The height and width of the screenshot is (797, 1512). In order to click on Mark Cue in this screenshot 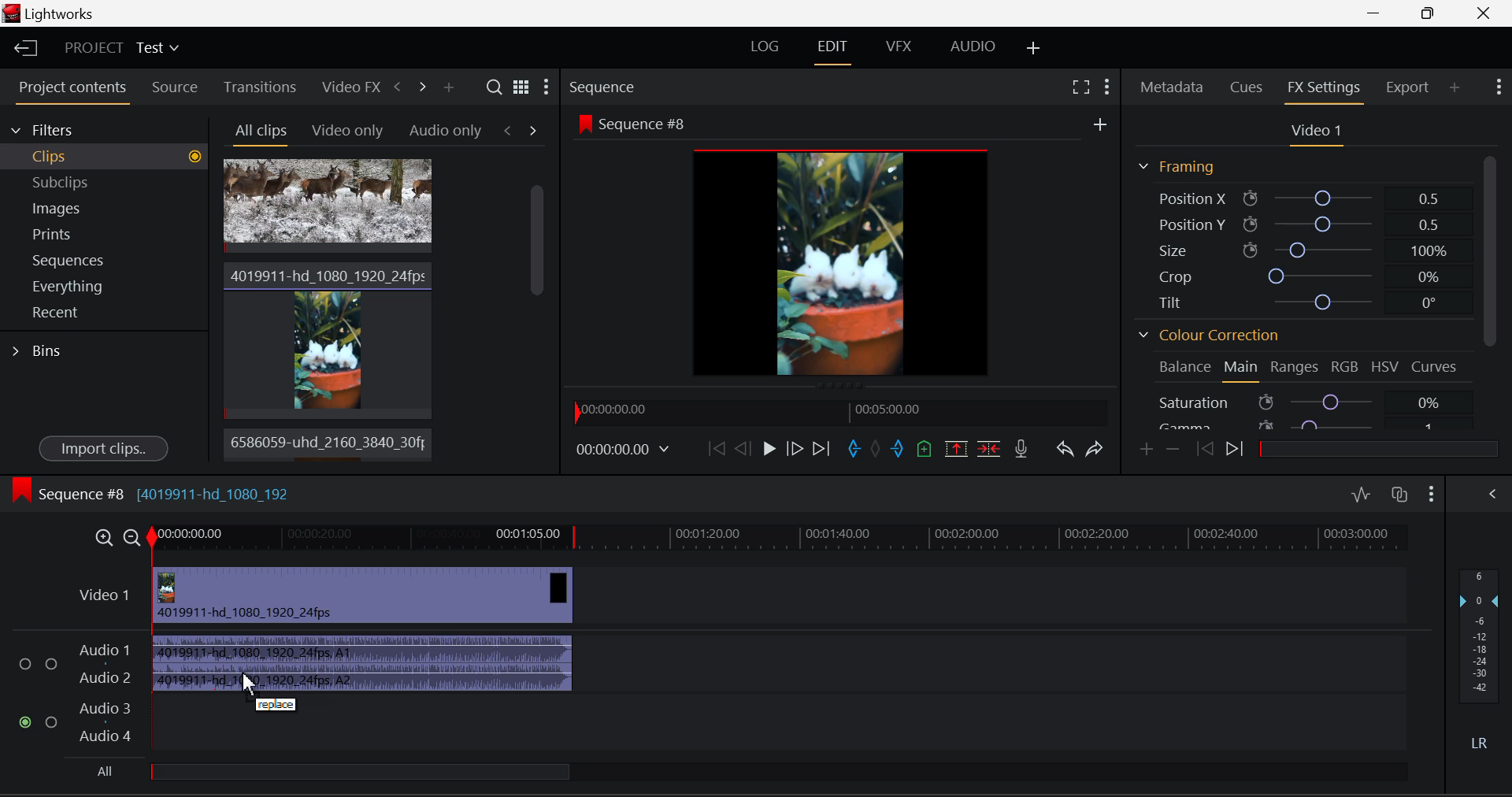, I will do `click(925, 448)`.